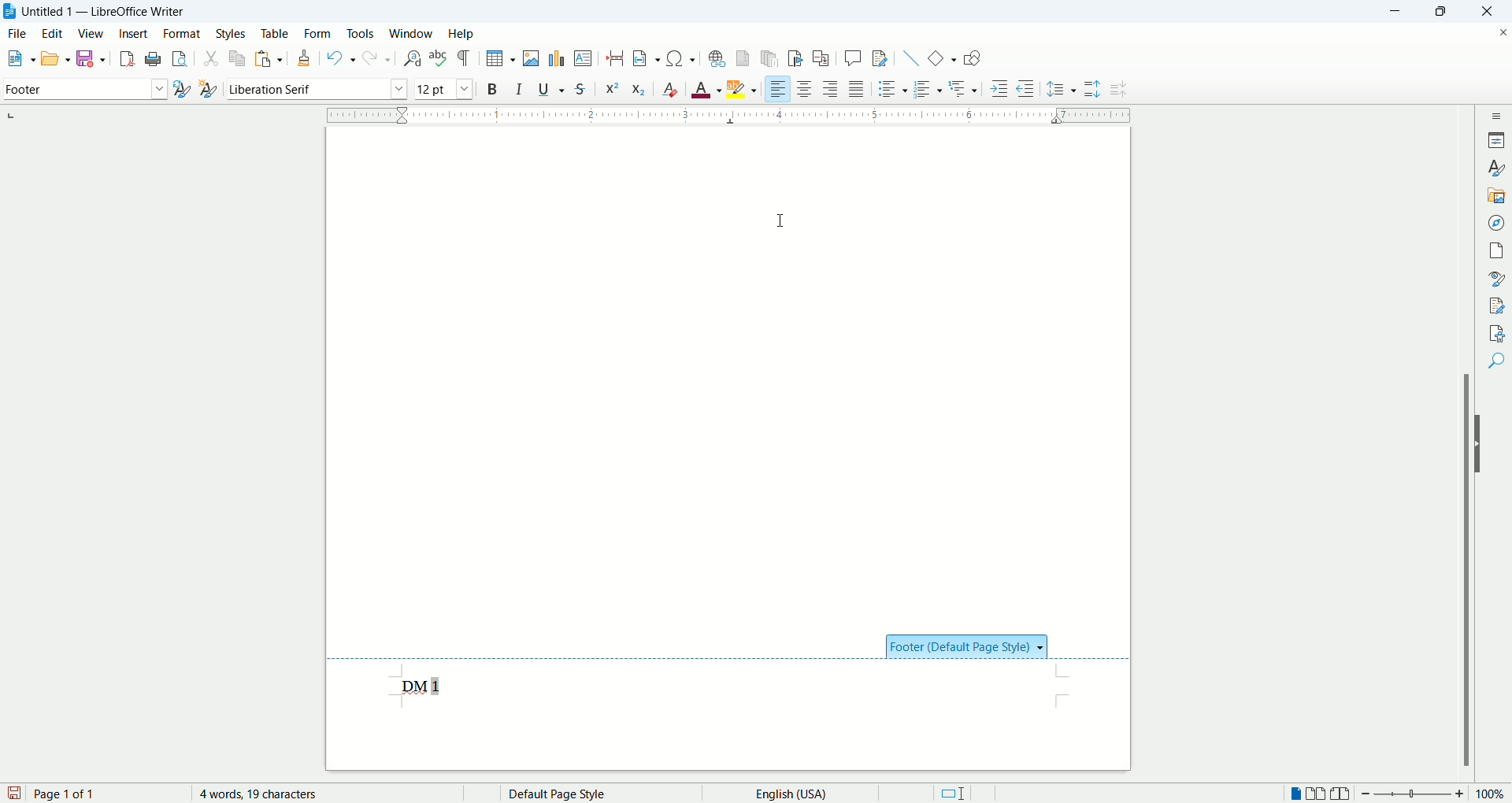 The image size is (1512, 803). Describe the element at coordinates (610, 87) in the screenshot. I see `superscript` at that location.